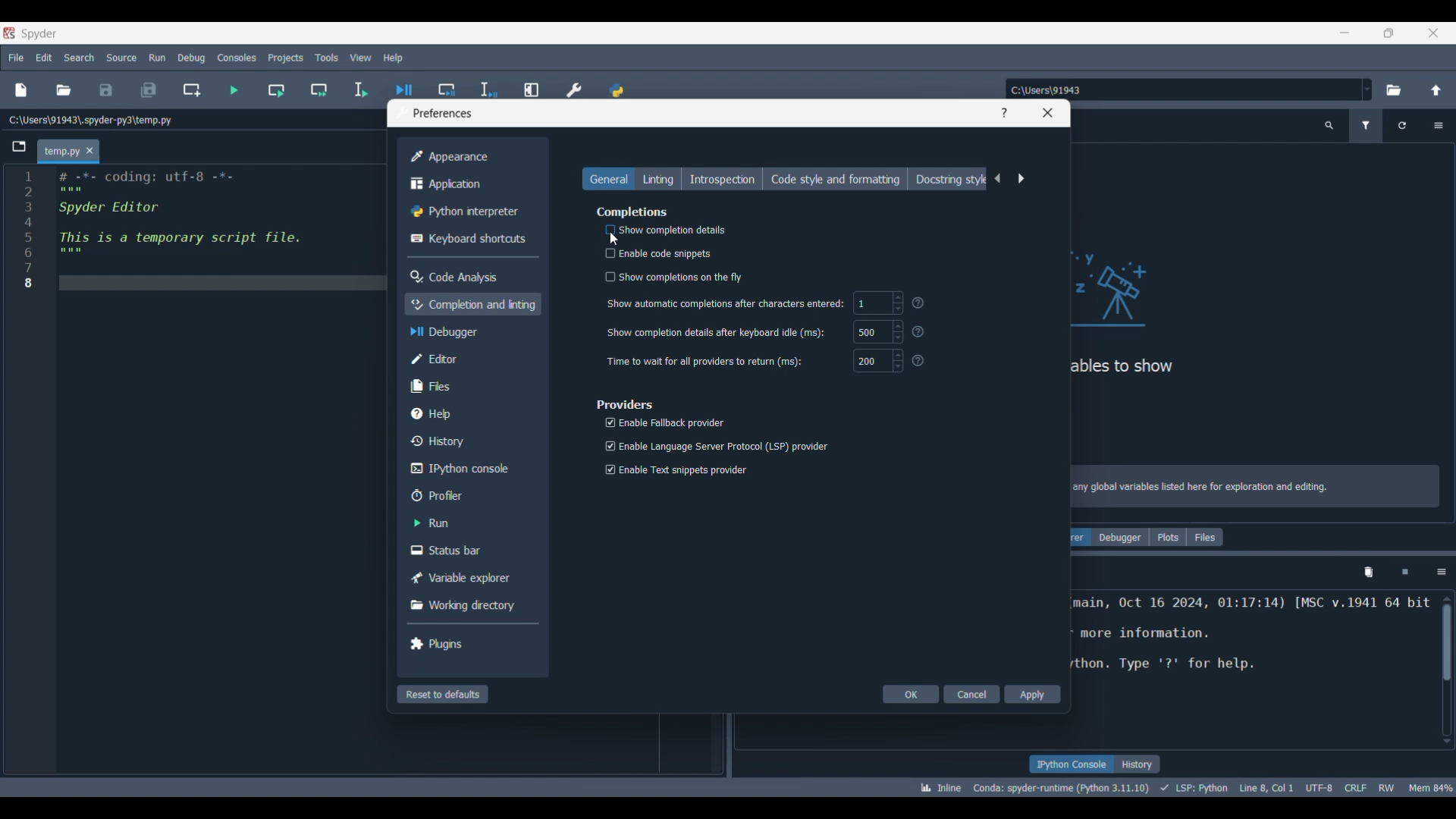  What do you see at coordinates (237, 58) in the screenshot?
I see `Consoles menu` at bounding box center [237, 58].